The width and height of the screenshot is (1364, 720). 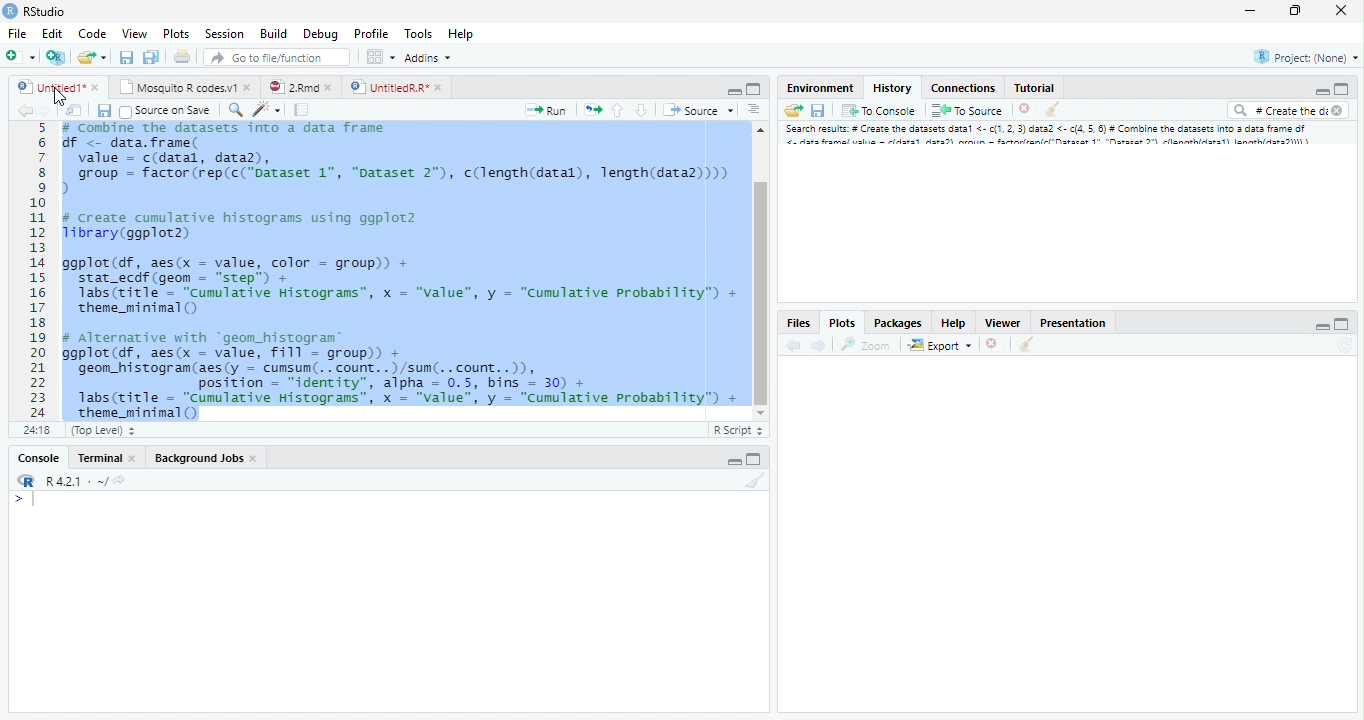 I want to click on Save, so click(x=822, y=109).